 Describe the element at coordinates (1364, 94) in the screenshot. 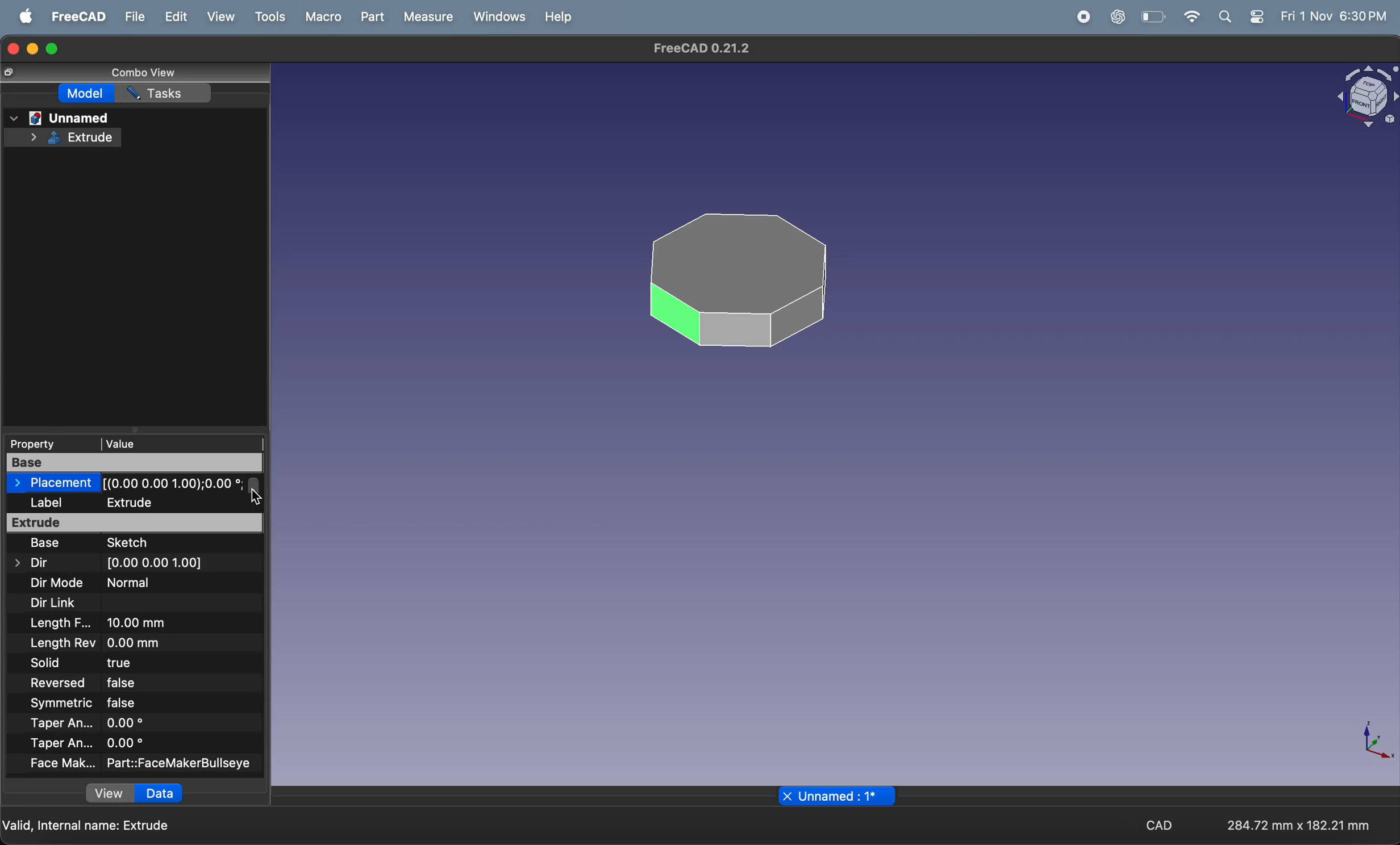

I see `object view` at that location.